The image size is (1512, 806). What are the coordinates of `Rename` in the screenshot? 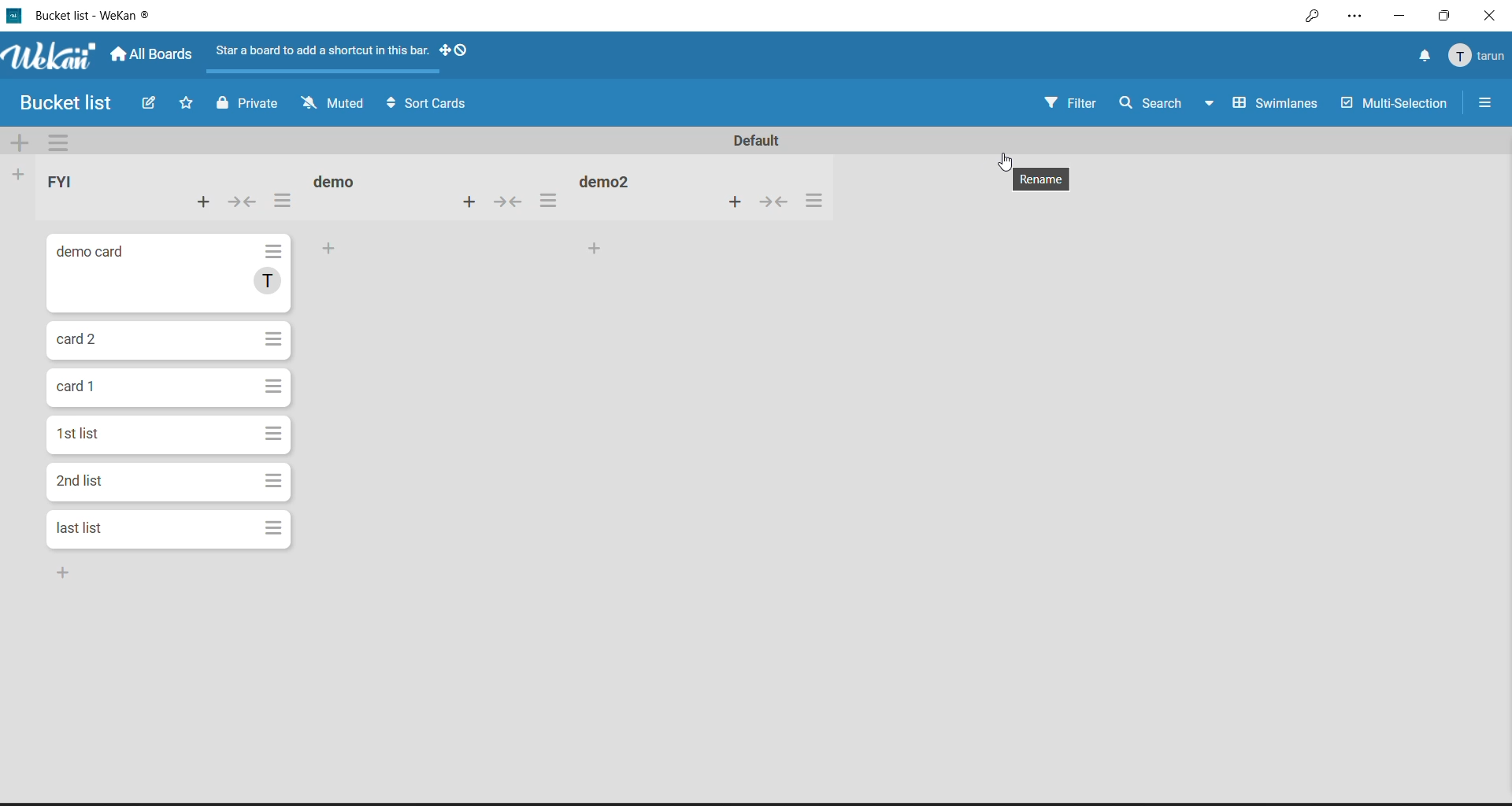 It's located at (1041, 182).